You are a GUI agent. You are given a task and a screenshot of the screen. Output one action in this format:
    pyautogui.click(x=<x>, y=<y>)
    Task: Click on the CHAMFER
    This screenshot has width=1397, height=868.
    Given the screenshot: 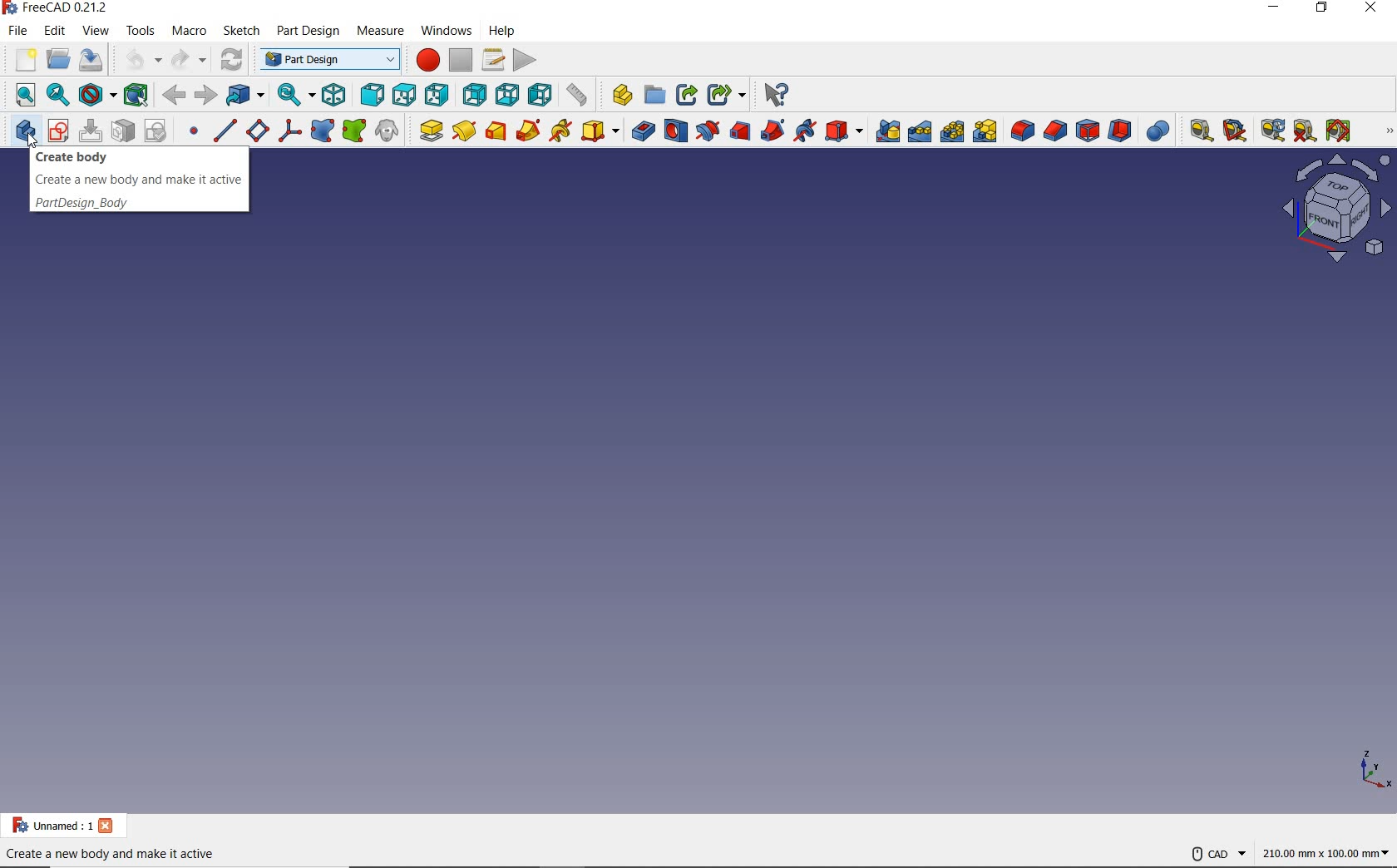 What is the action you would take?
    pyautogui.click(x=1055, y=131)
    